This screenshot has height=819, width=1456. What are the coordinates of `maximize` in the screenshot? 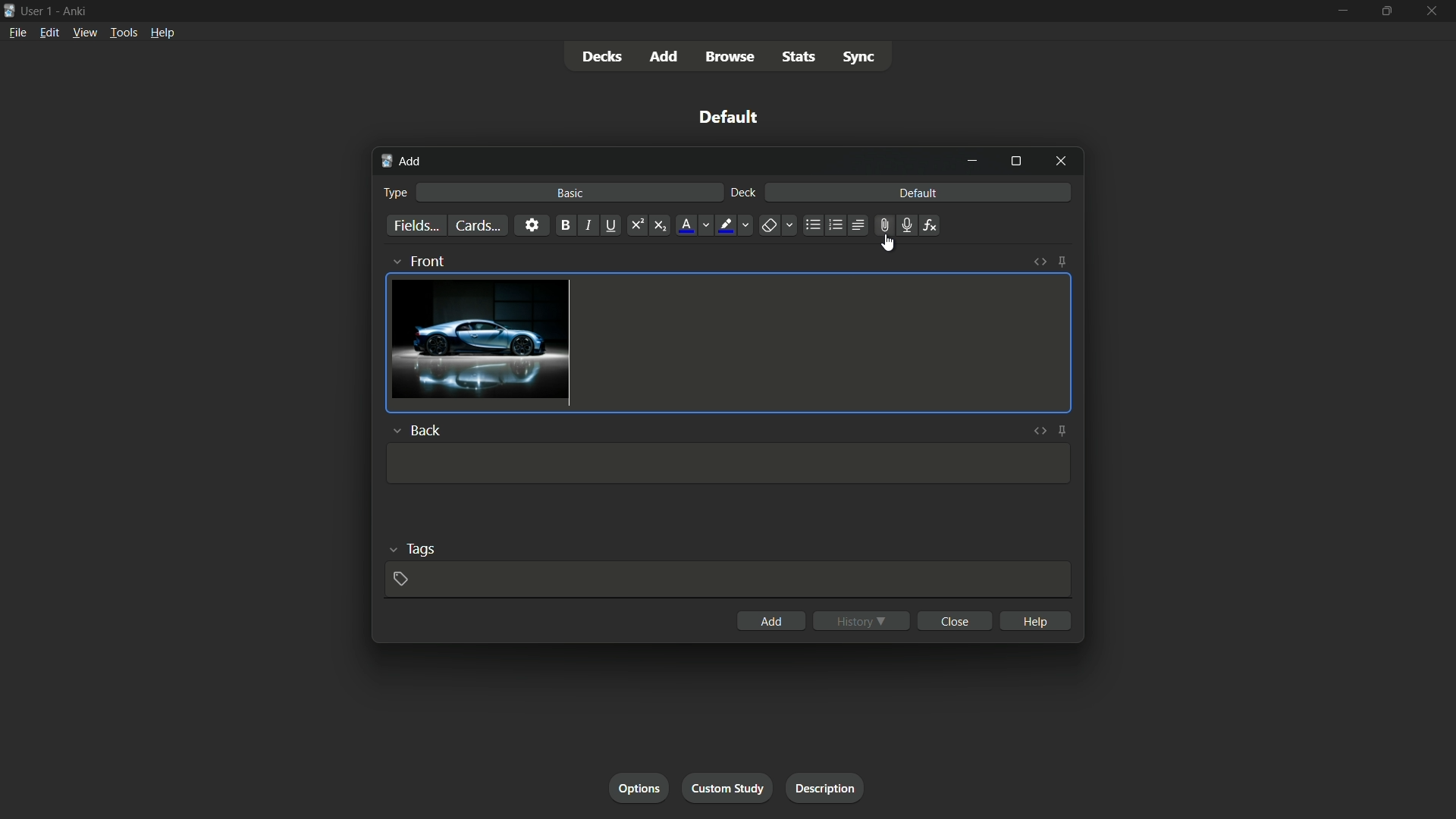 It's located at (1387, 11).